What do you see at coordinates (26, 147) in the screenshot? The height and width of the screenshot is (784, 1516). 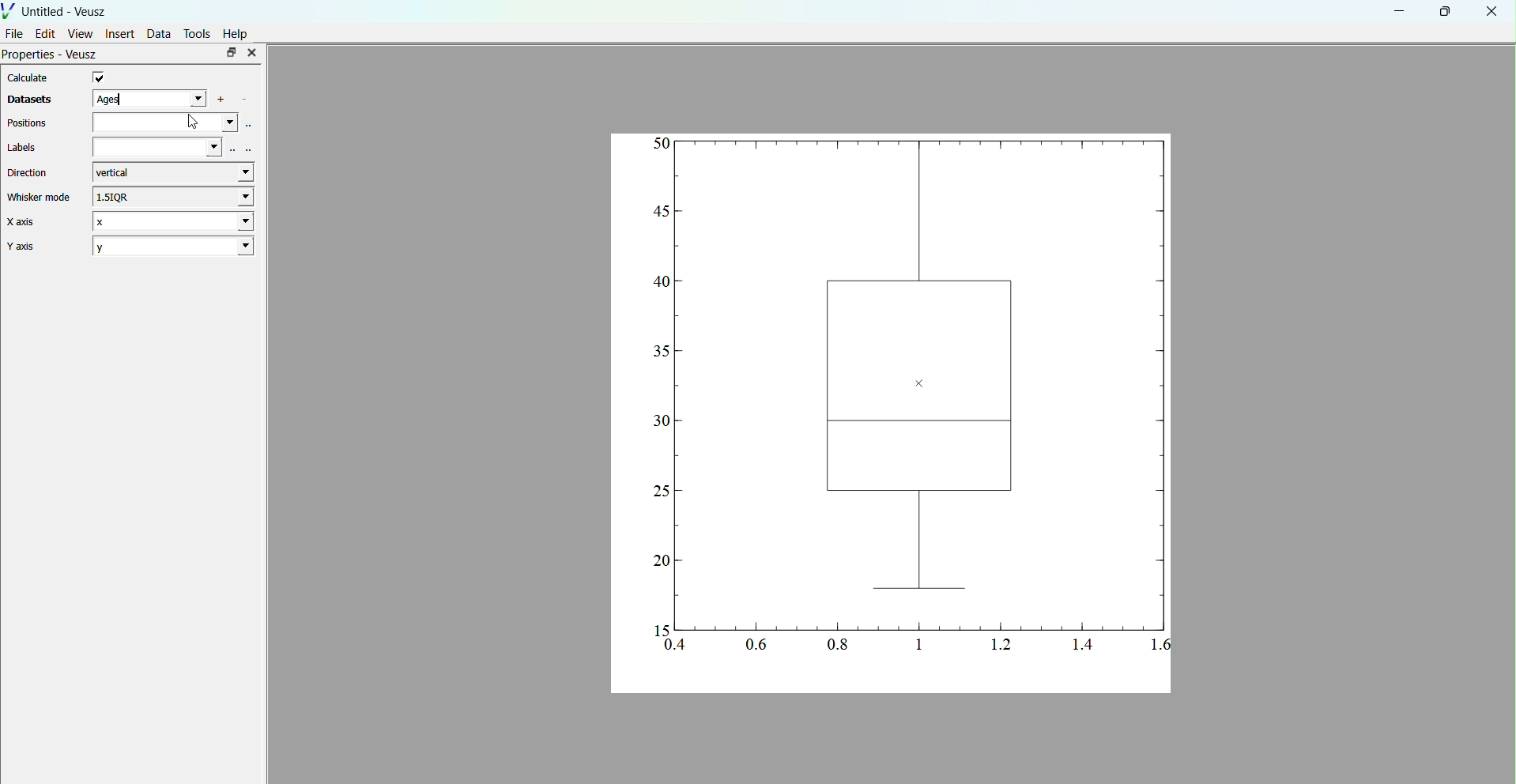 I see `Labels` at bounding box center [26, 147].